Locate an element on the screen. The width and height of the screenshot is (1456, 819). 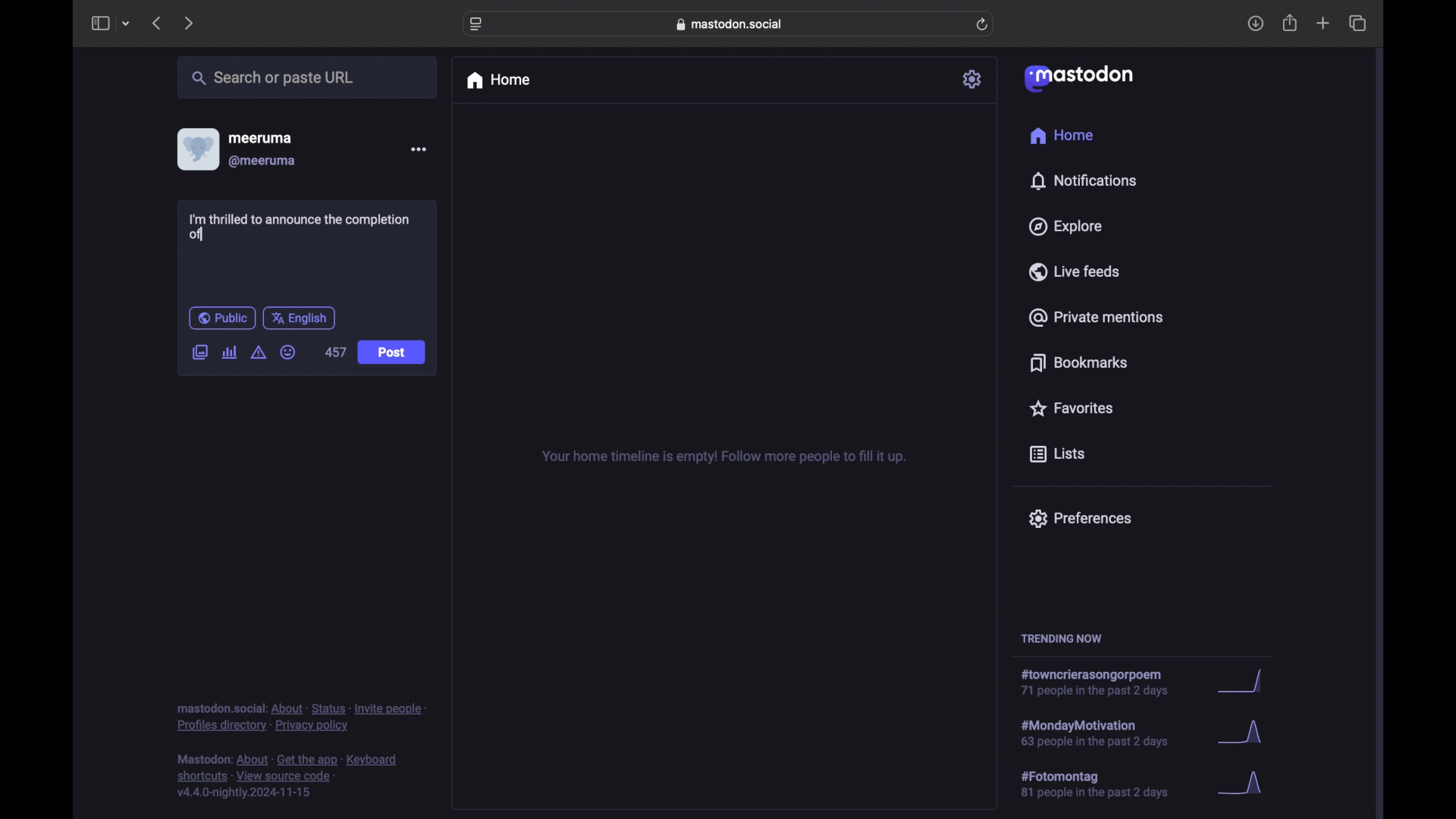
add content warning is located at coordinates (260, 353).